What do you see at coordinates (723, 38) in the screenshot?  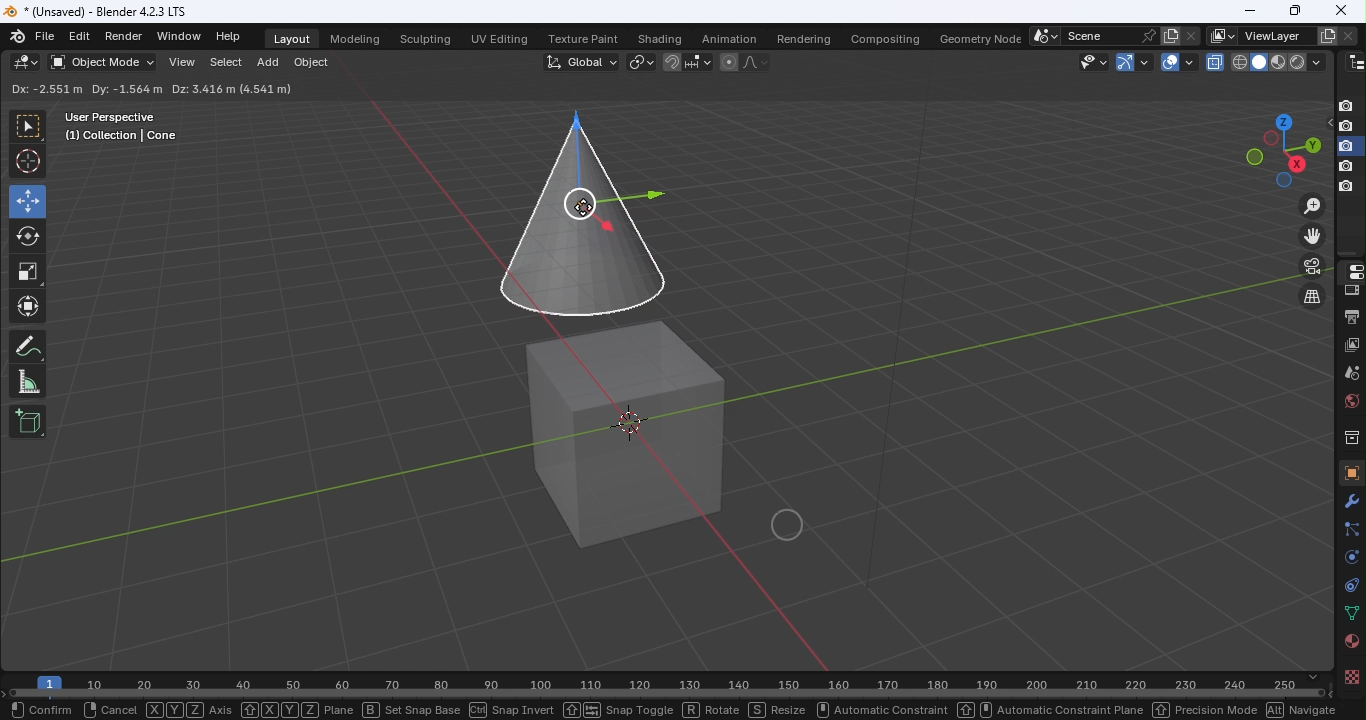 I see `Animation` at bounding box center [723, 38].